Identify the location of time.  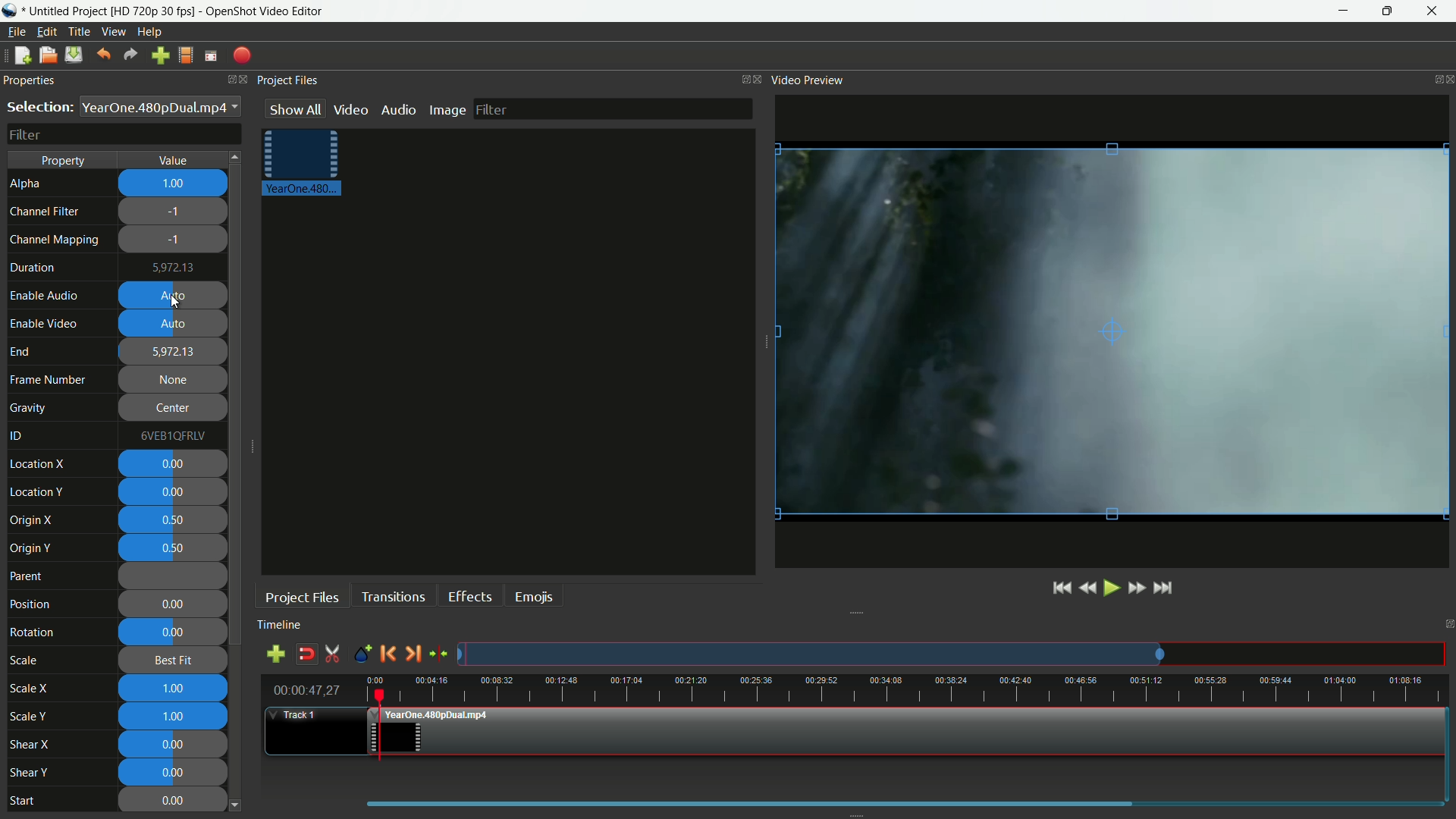
(911, 686).